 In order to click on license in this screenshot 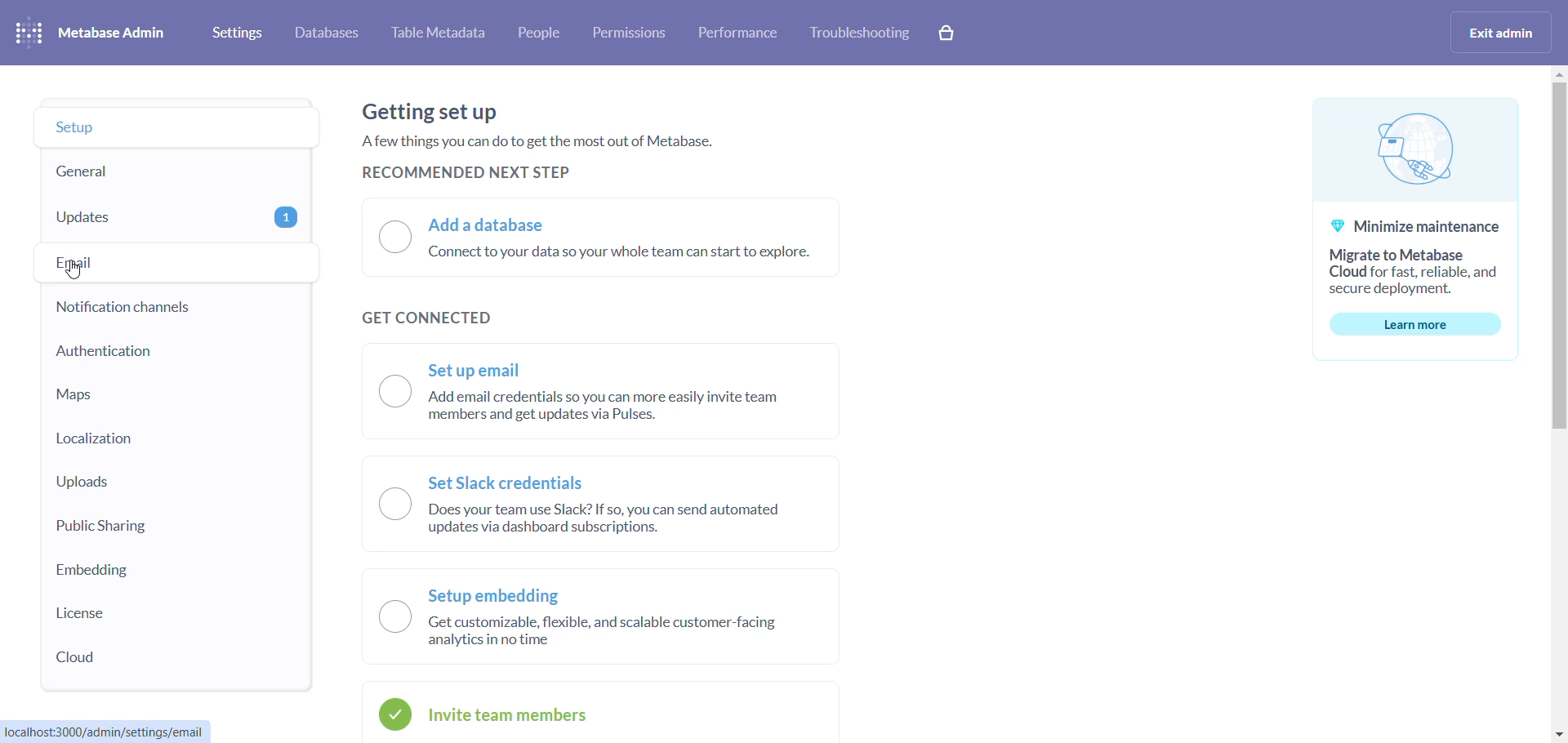, I will do `click(154, 615)`.